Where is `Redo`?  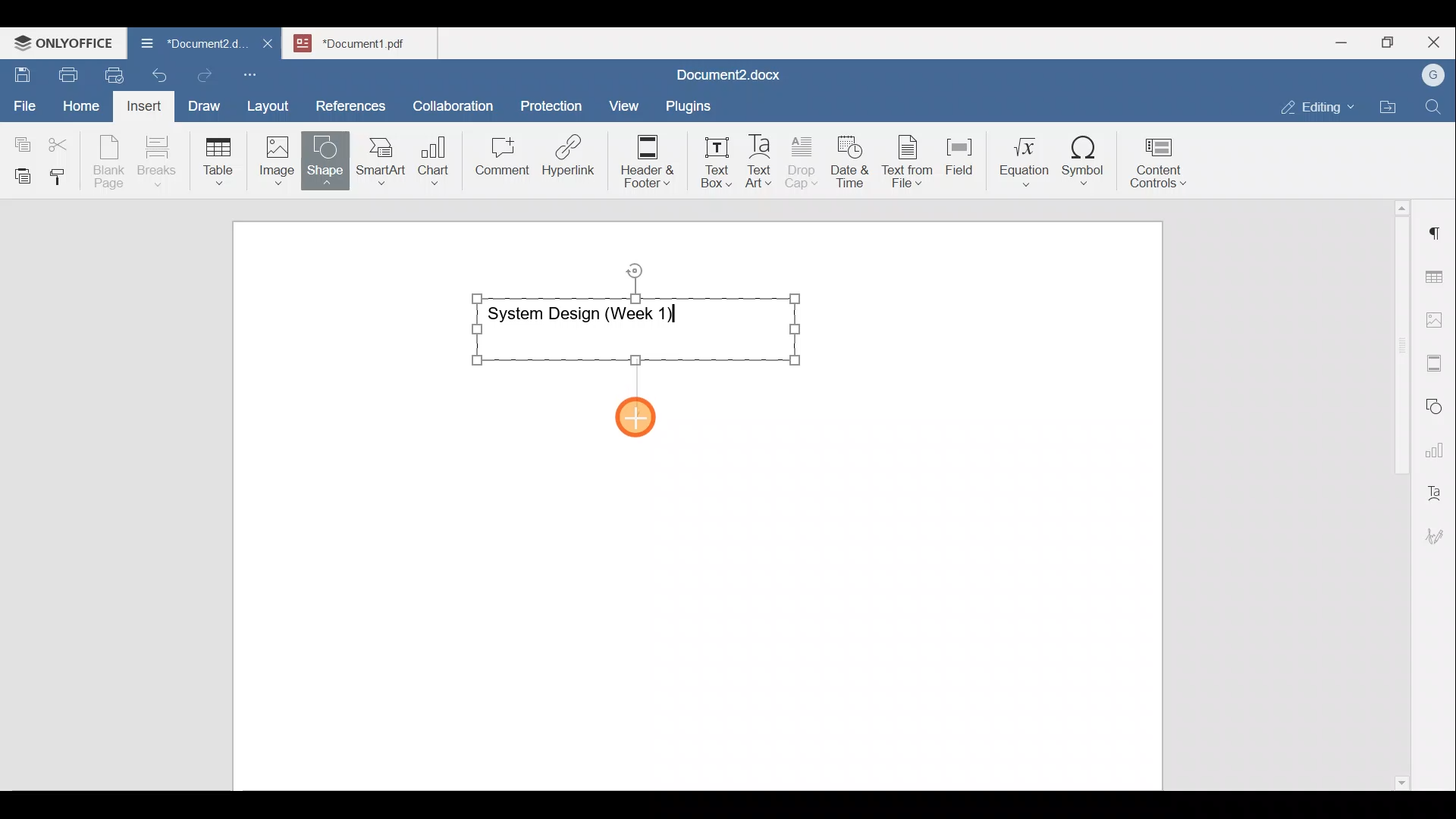
Redo is located at coordinates (204, 76).